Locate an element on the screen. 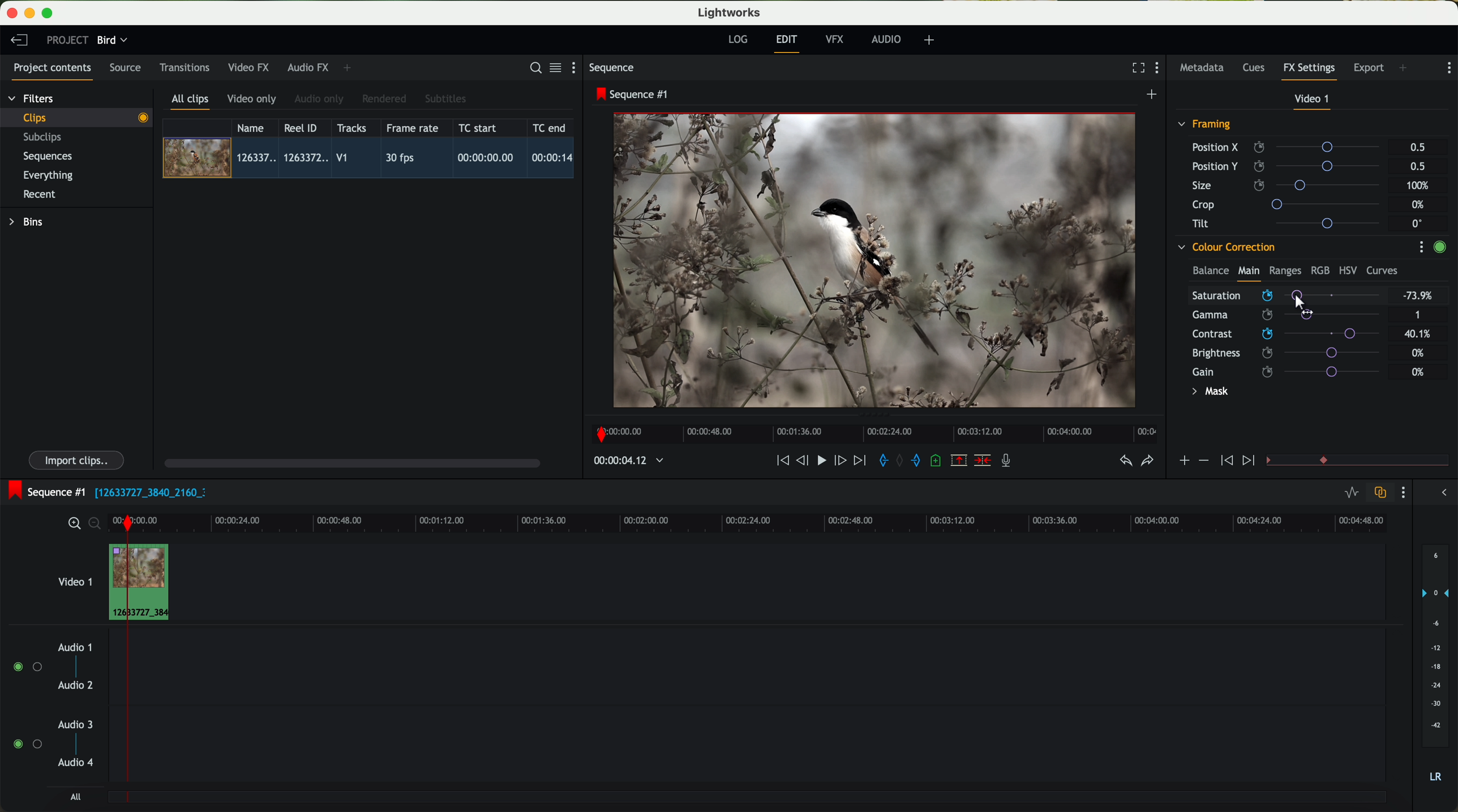  video only is located at coordinates (251, 100).